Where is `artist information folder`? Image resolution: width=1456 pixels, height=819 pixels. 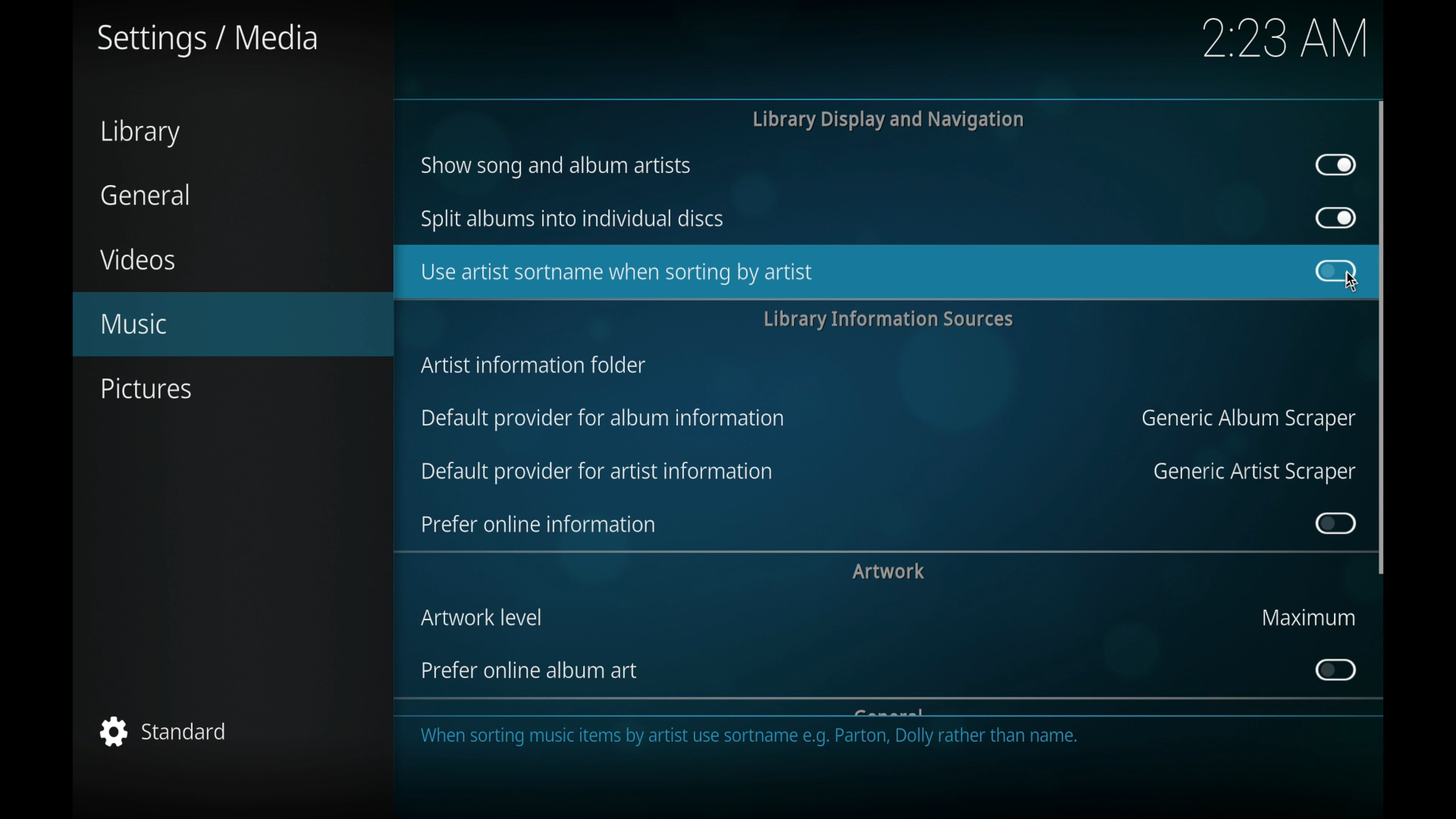
artist information folder is located at coordinates (534, 366).